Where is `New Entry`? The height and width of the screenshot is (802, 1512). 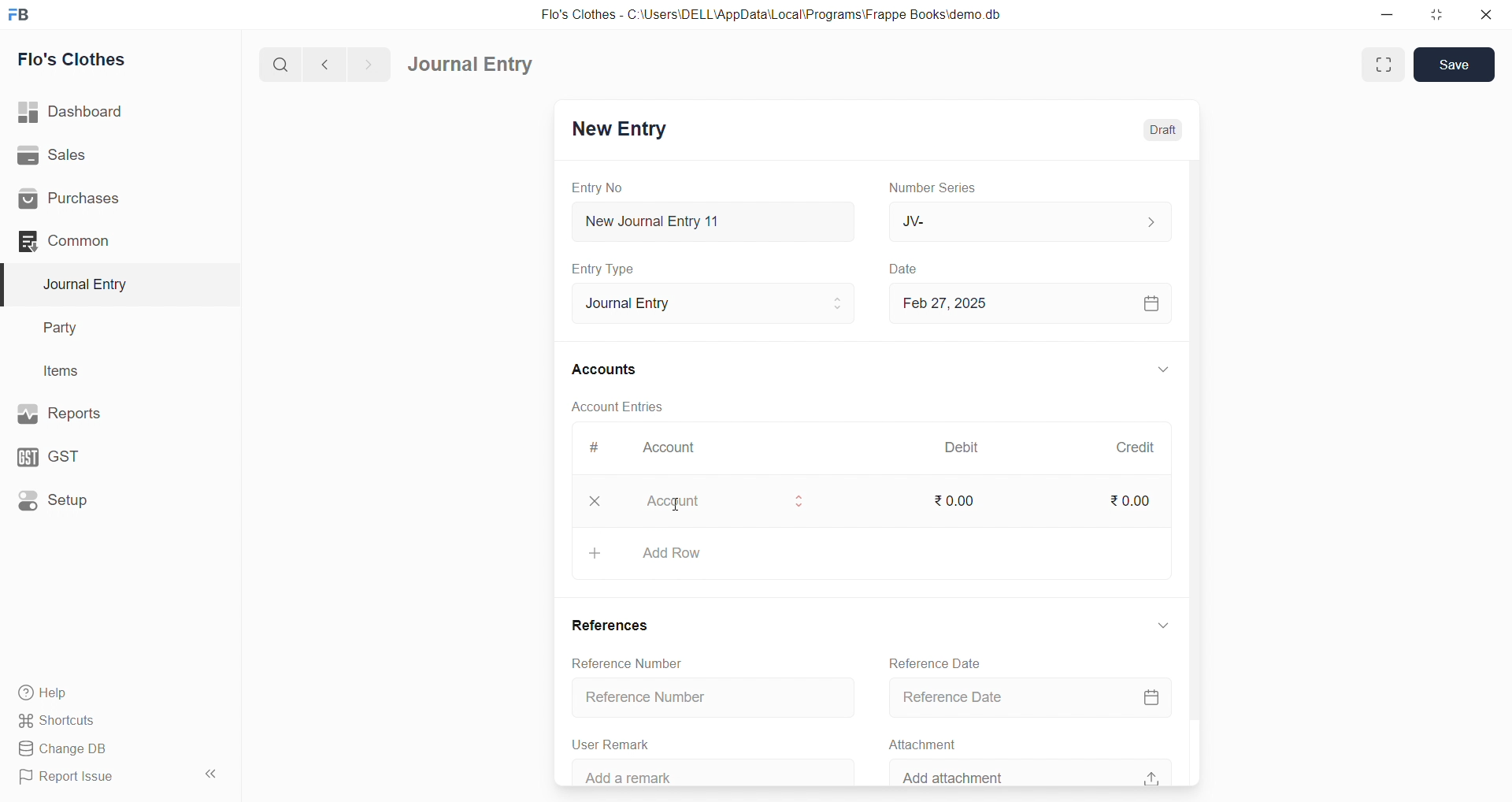
New Entry is located at coordinates (622, 130).